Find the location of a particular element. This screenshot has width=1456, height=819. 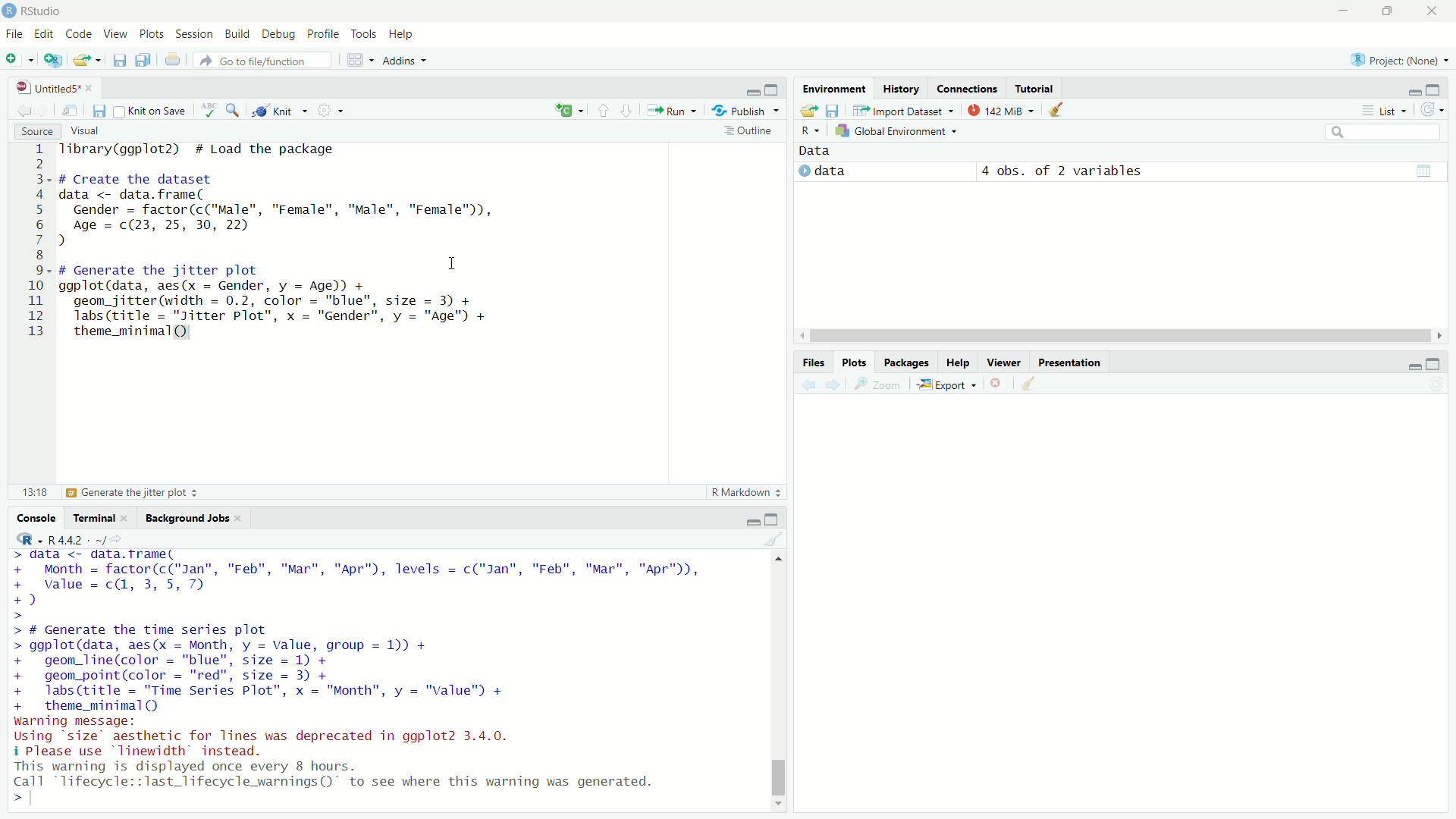

scrollbar is located at coordinates (1122, 337).